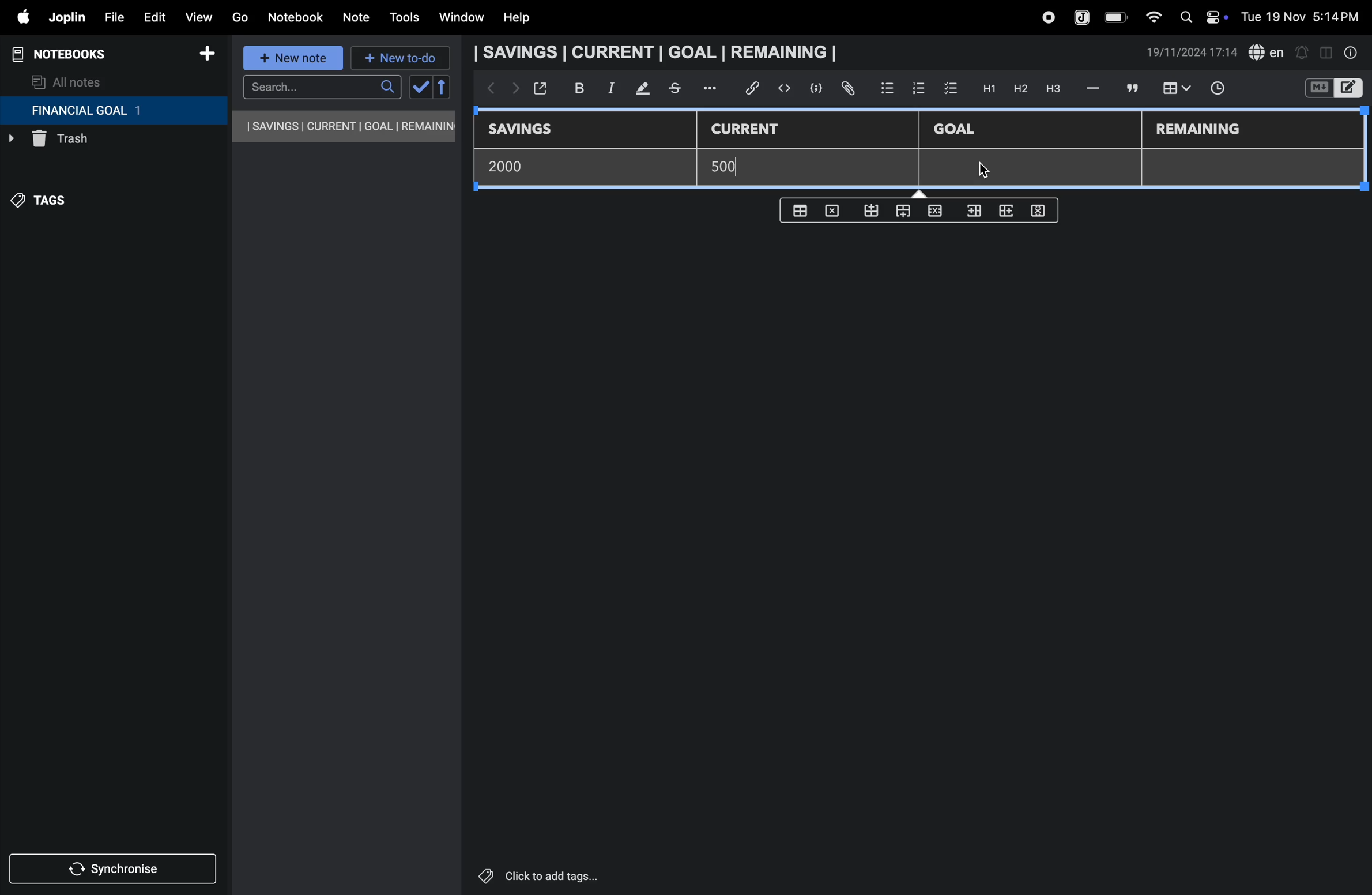  I want to click on delete, so click(835, 210).